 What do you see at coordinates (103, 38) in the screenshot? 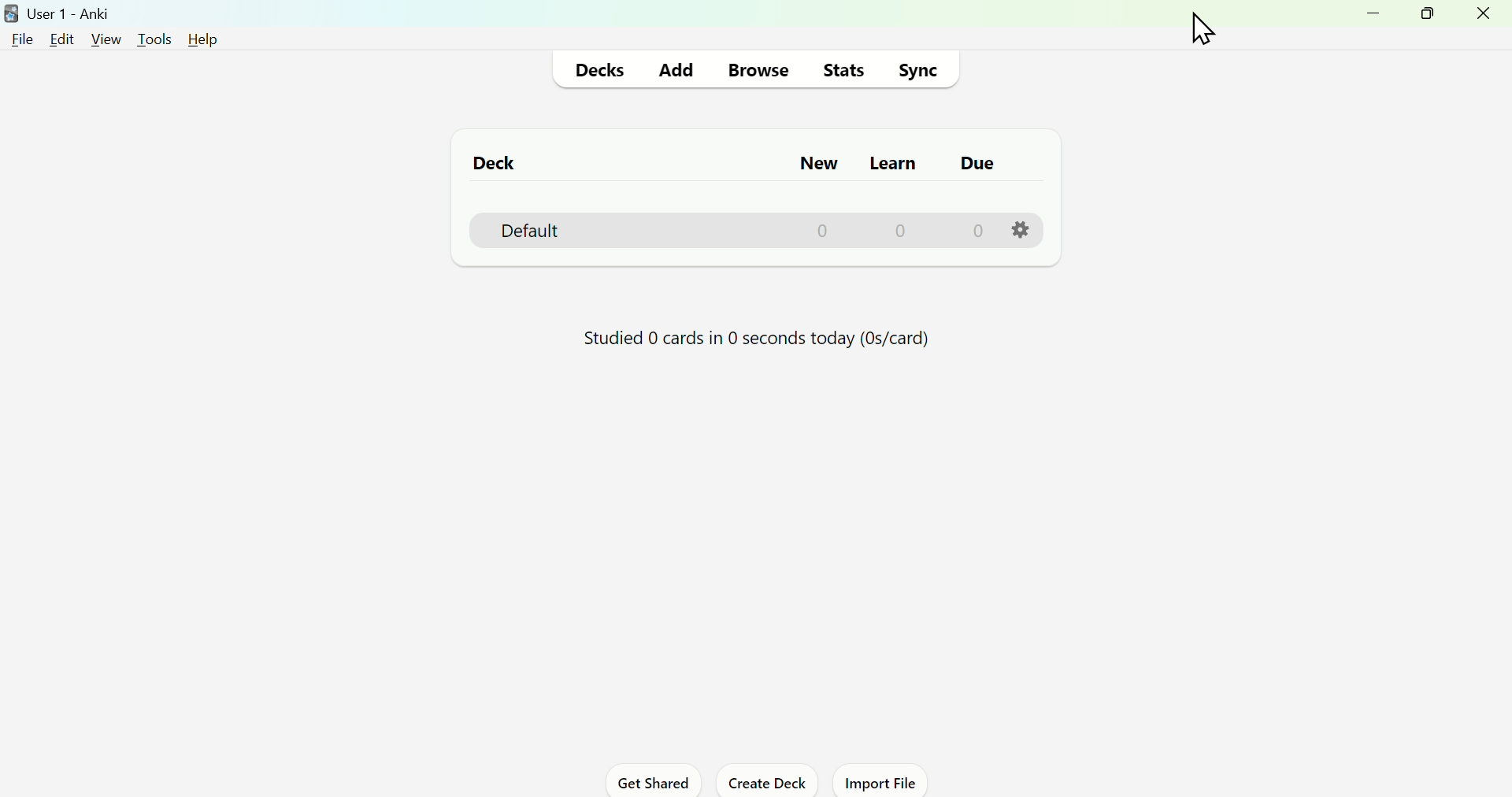
I see `View` at bounding box center [103, 38].